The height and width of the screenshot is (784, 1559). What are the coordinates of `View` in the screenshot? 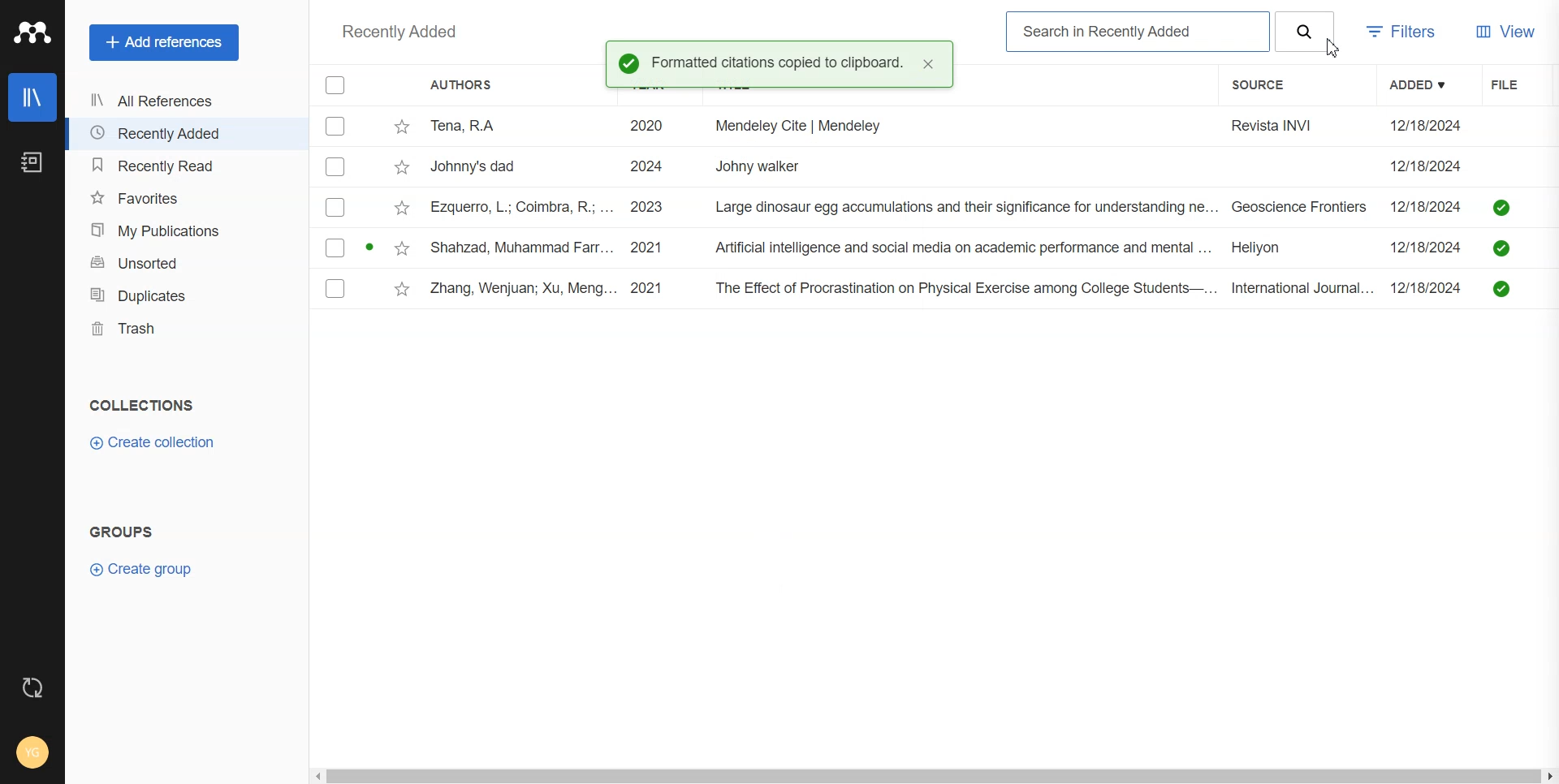 It's located at (1507, 33).